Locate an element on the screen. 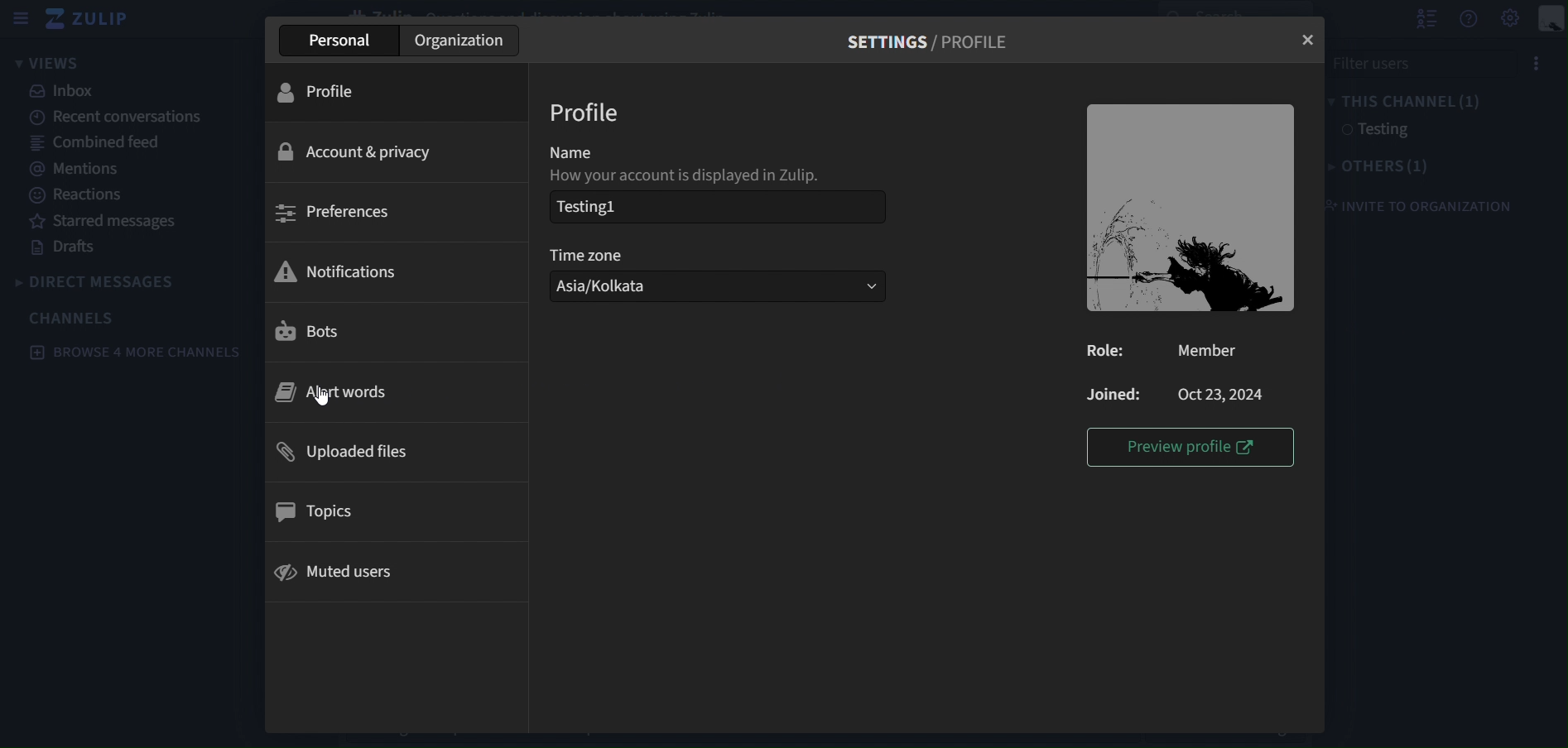 The image size is (1568, 748). Role:  is located at coordinates (1110, 352).